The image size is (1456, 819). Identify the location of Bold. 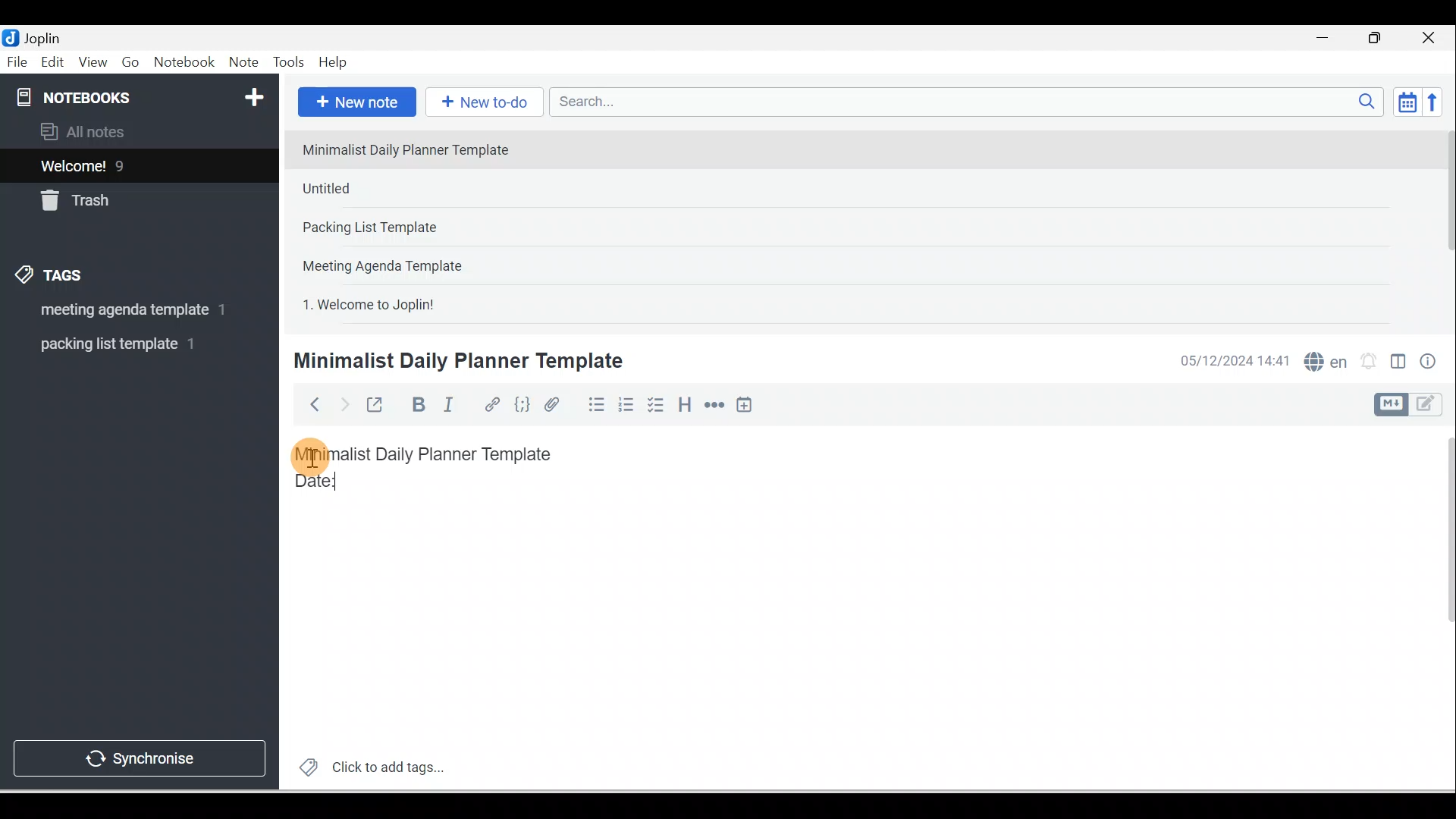
(416, 405).